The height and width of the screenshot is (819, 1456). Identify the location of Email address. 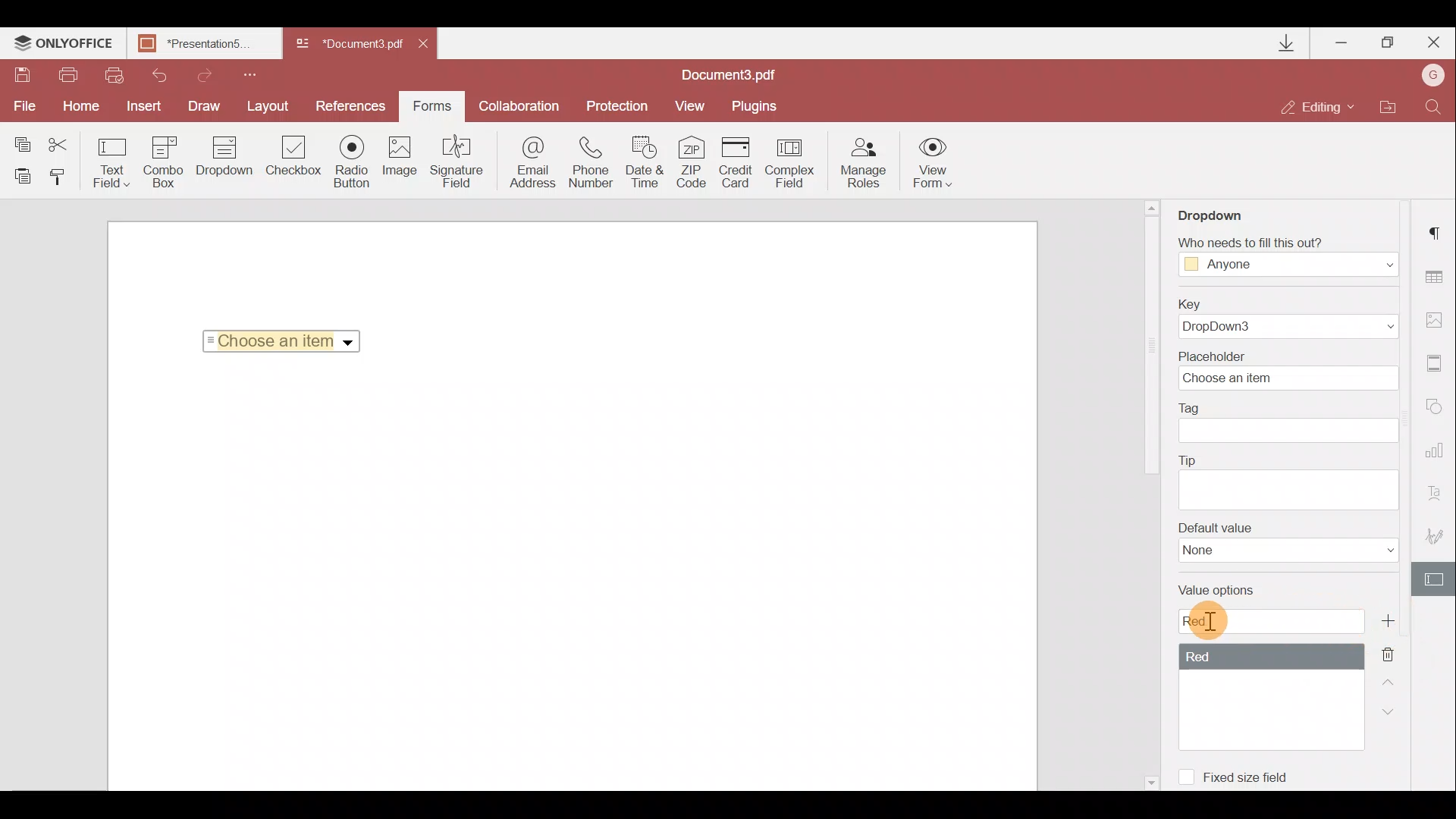
(527, 166).